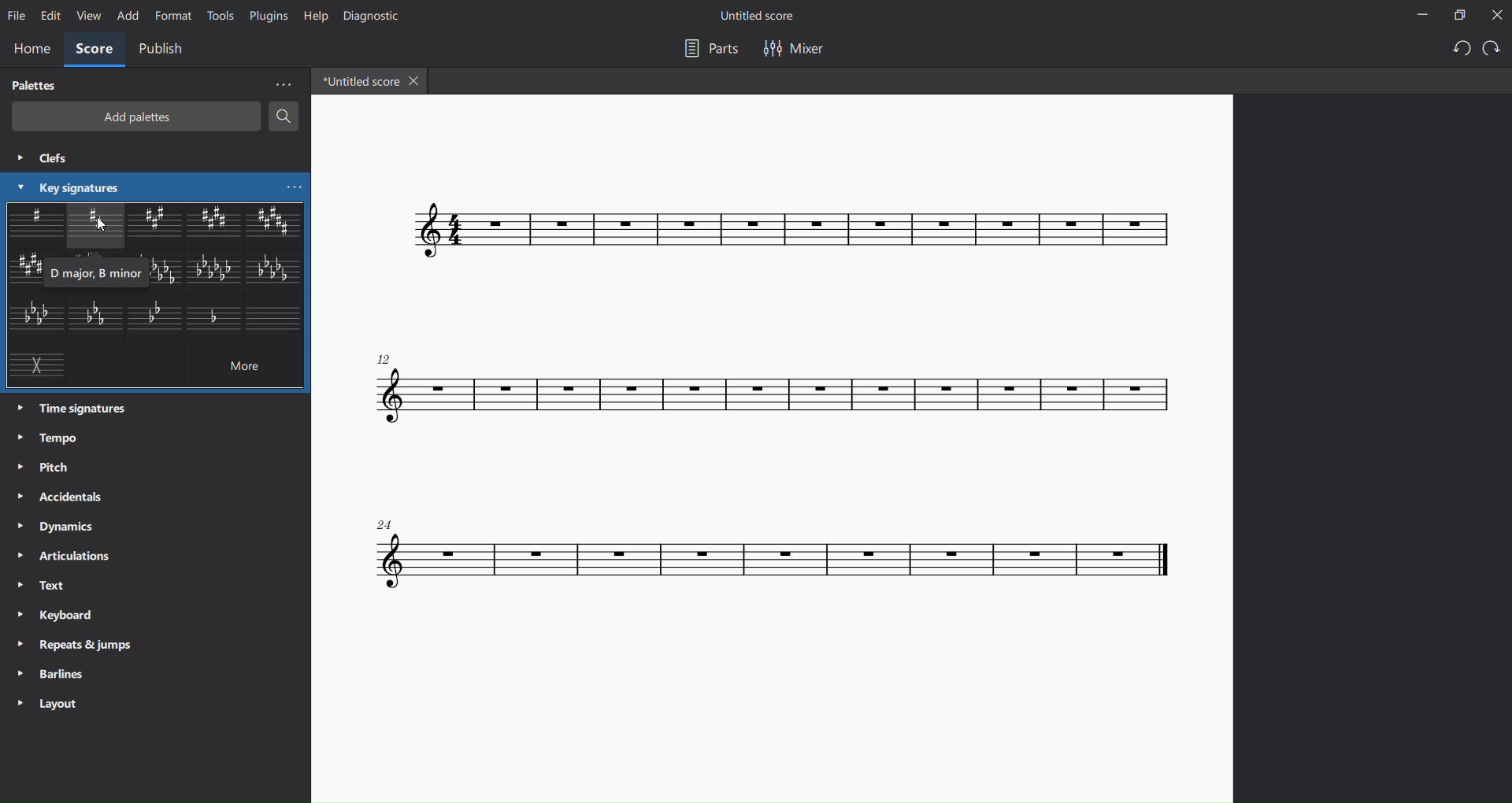 The width and height of the screenshot is (1512, 803). What do you see at coordinates (102, 225) in the screenshot?
I see `curosr` at bounding box center [102, 225].